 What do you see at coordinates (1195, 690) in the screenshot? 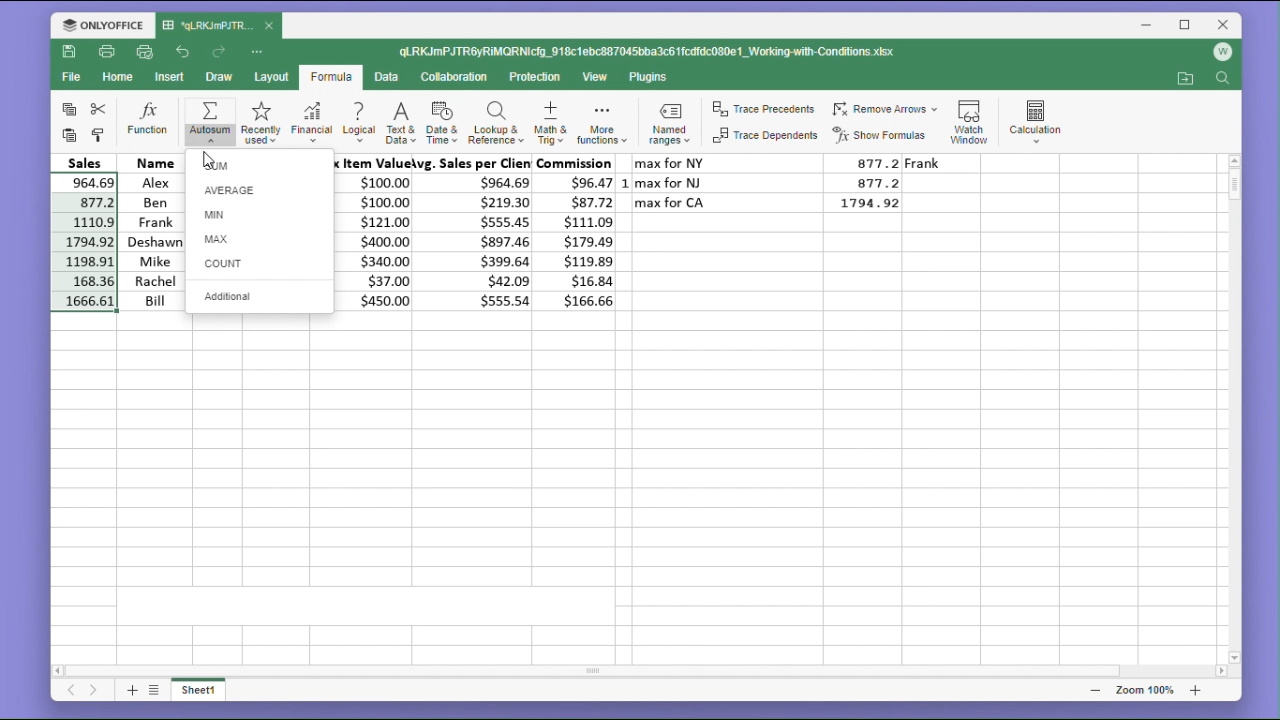
I see `zoom in` at bounding box center [1195, 690].